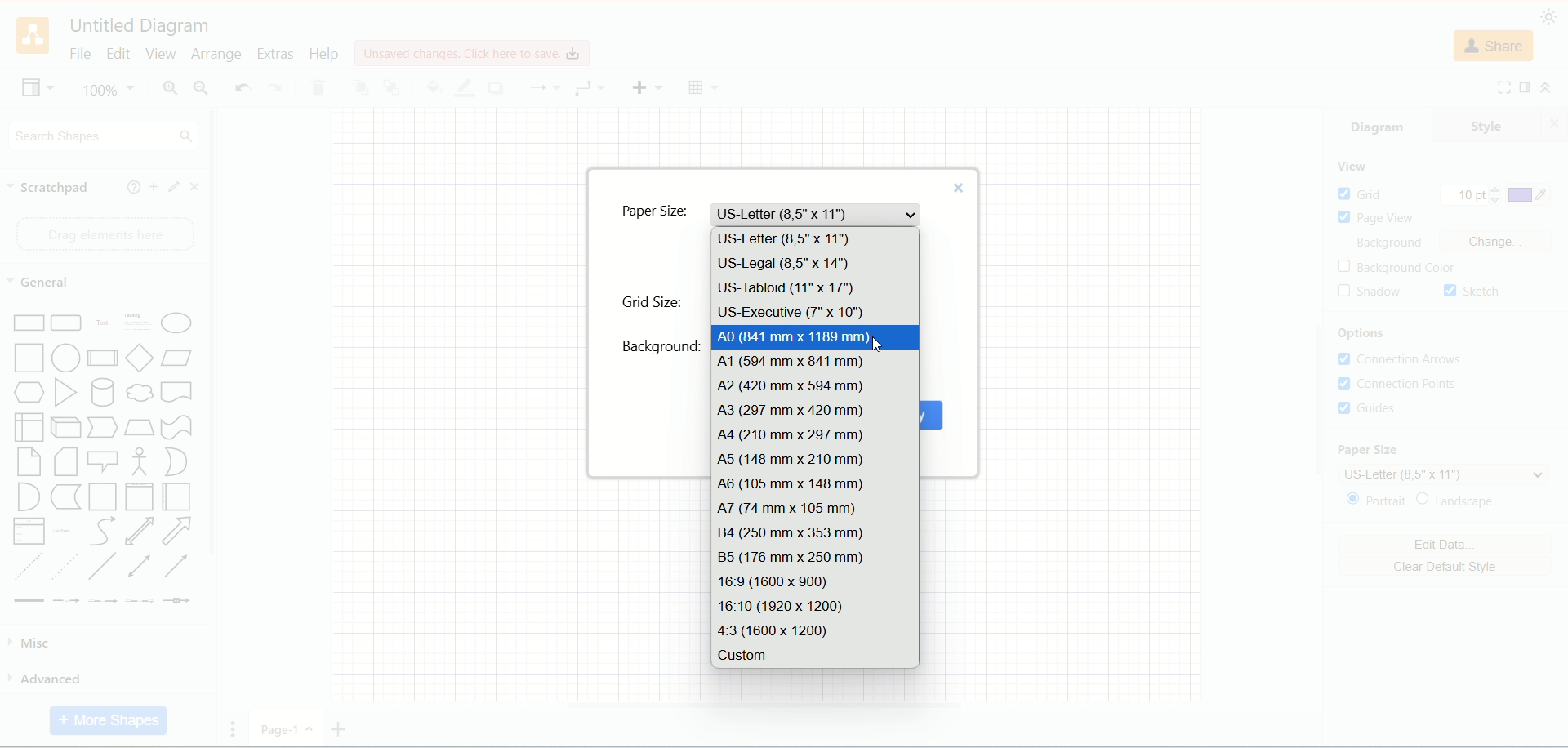  Describe the element at coordinates (137, 24) in the screenshot. I see `title` at that location.